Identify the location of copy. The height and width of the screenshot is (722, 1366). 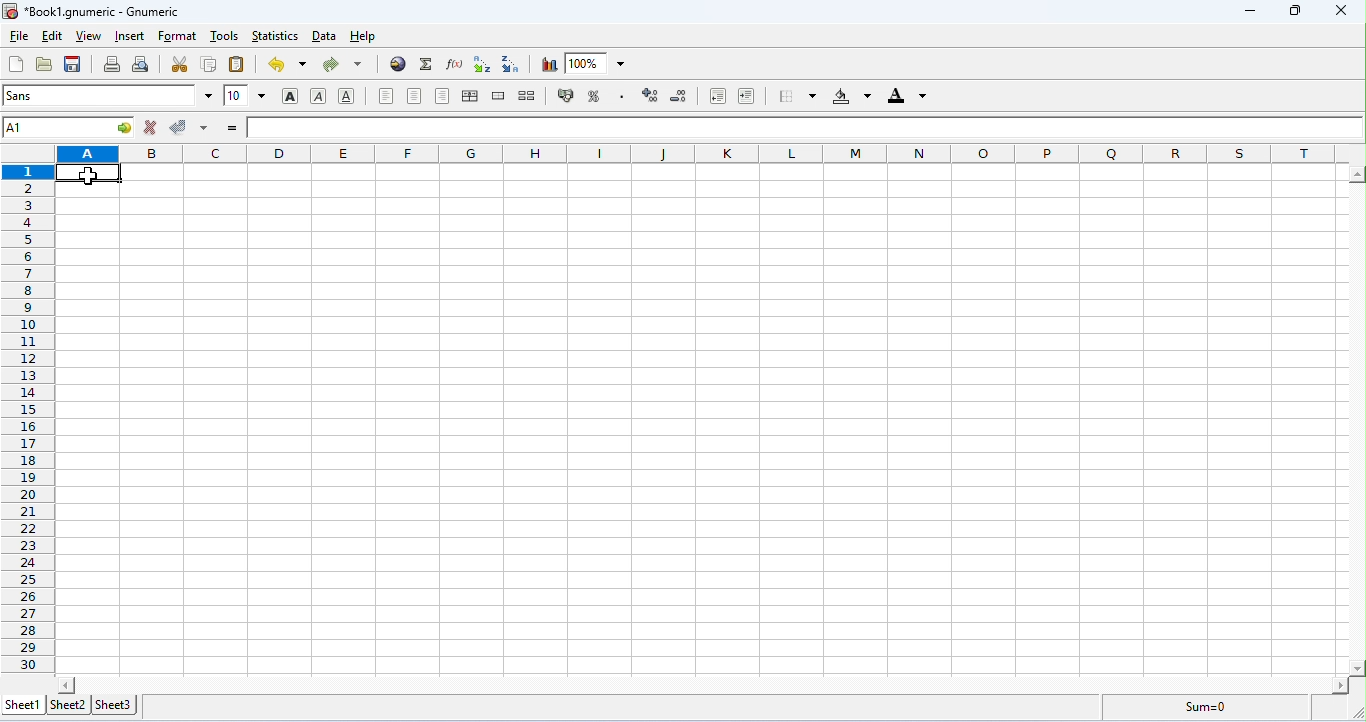
(208, 65).